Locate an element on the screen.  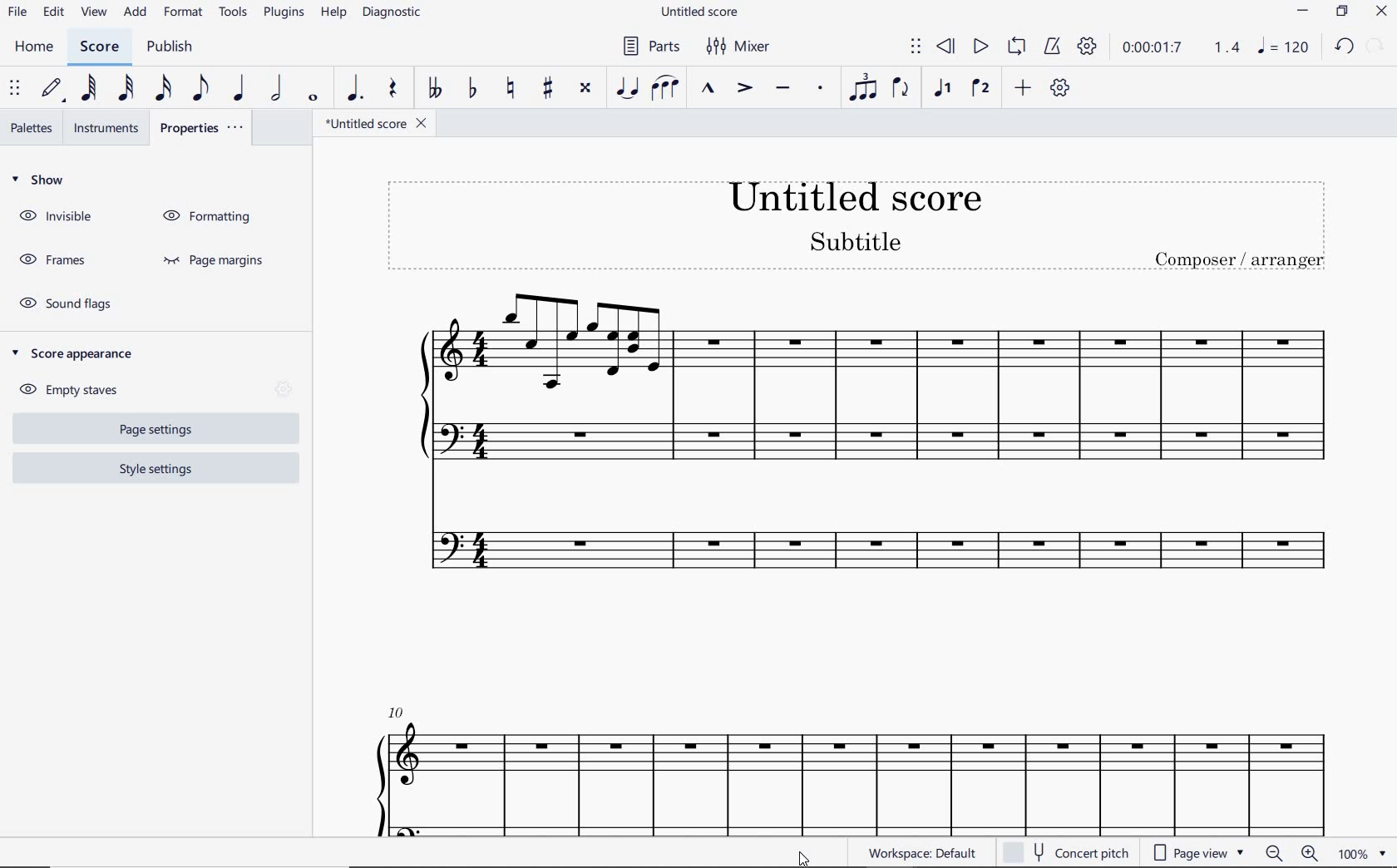
TOGGLE SHARP is located at coordinates (547, 86).